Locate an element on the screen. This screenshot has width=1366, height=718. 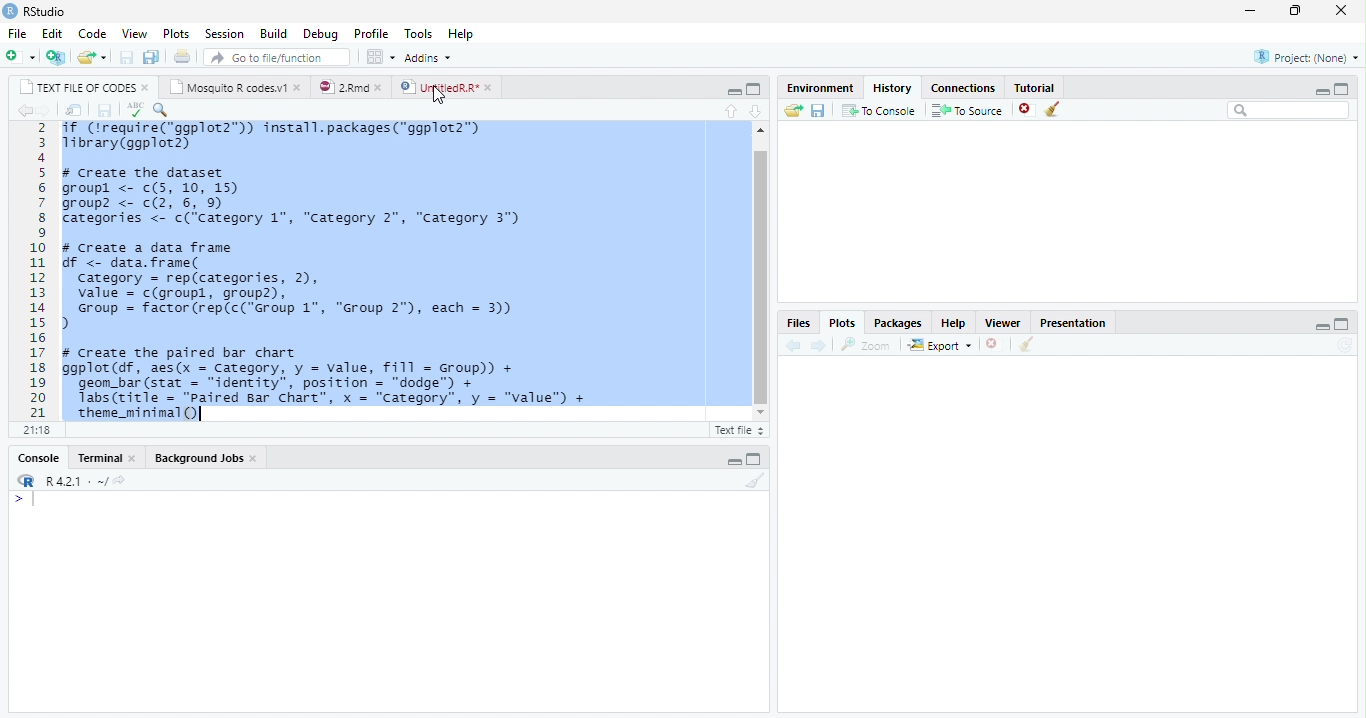
mosquito R codes.v1 is located at coordinates (230, 87).